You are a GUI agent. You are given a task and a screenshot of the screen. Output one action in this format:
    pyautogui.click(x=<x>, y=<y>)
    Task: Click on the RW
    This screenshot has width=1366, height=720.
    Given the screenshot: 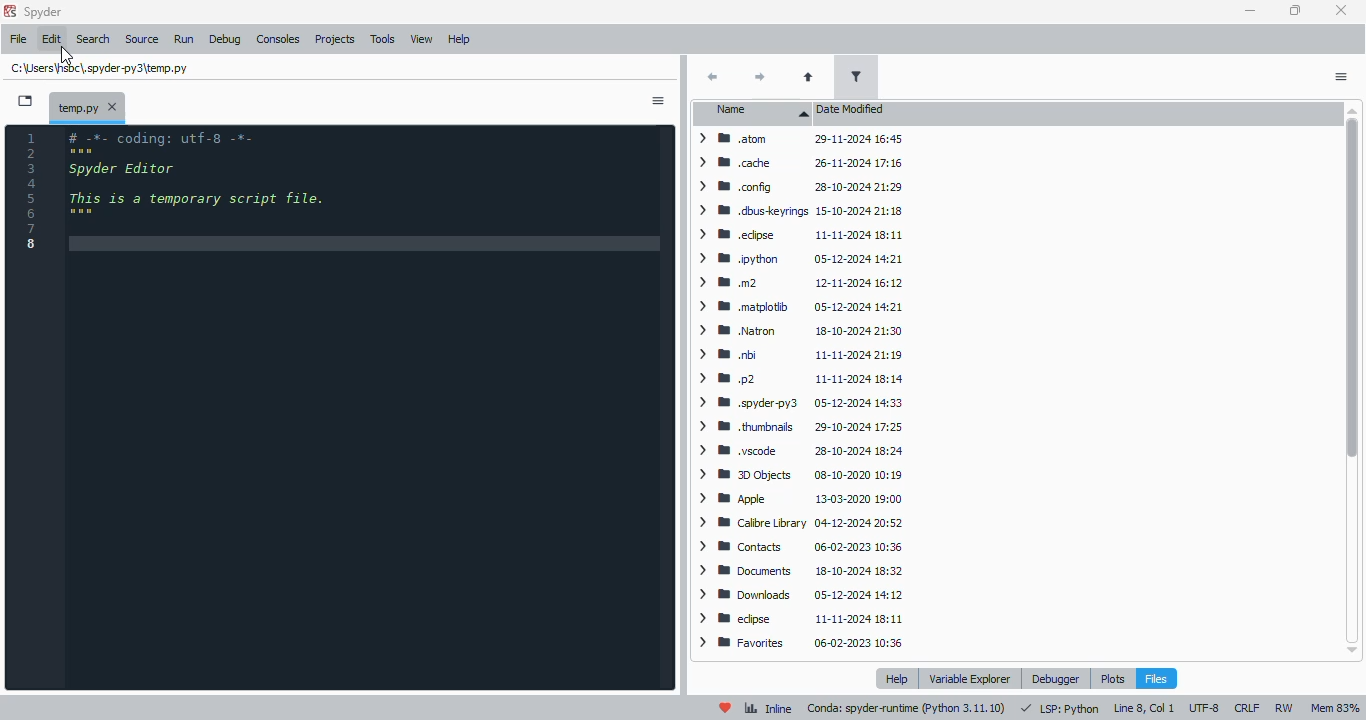 What is the action you would take?
    pyautogui.click(x=1287, y=709)
    